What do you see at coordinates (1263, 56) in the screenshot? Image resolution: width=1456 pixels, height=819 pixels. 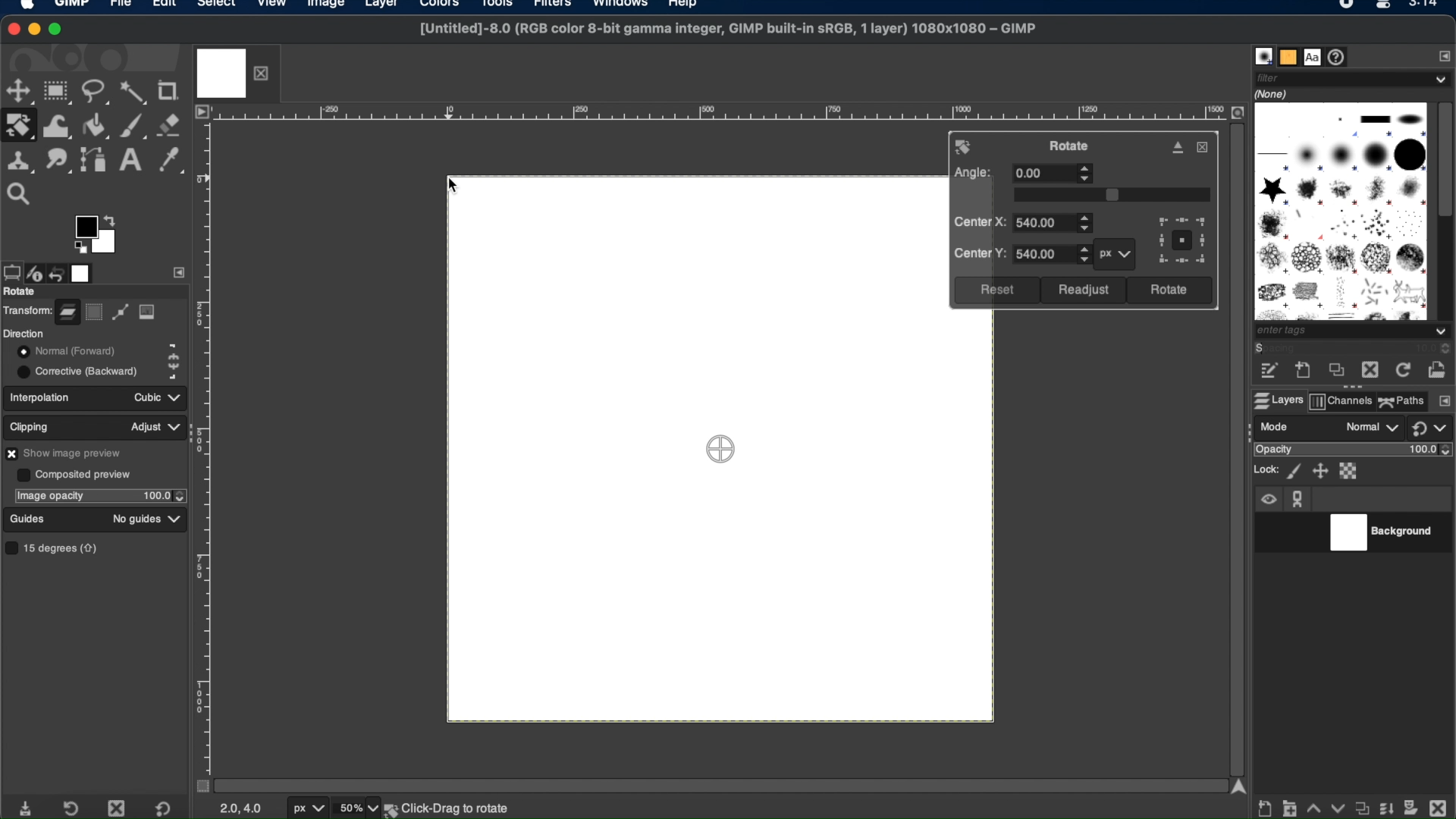 I see `brushes` at bounding box center [1263, 56].